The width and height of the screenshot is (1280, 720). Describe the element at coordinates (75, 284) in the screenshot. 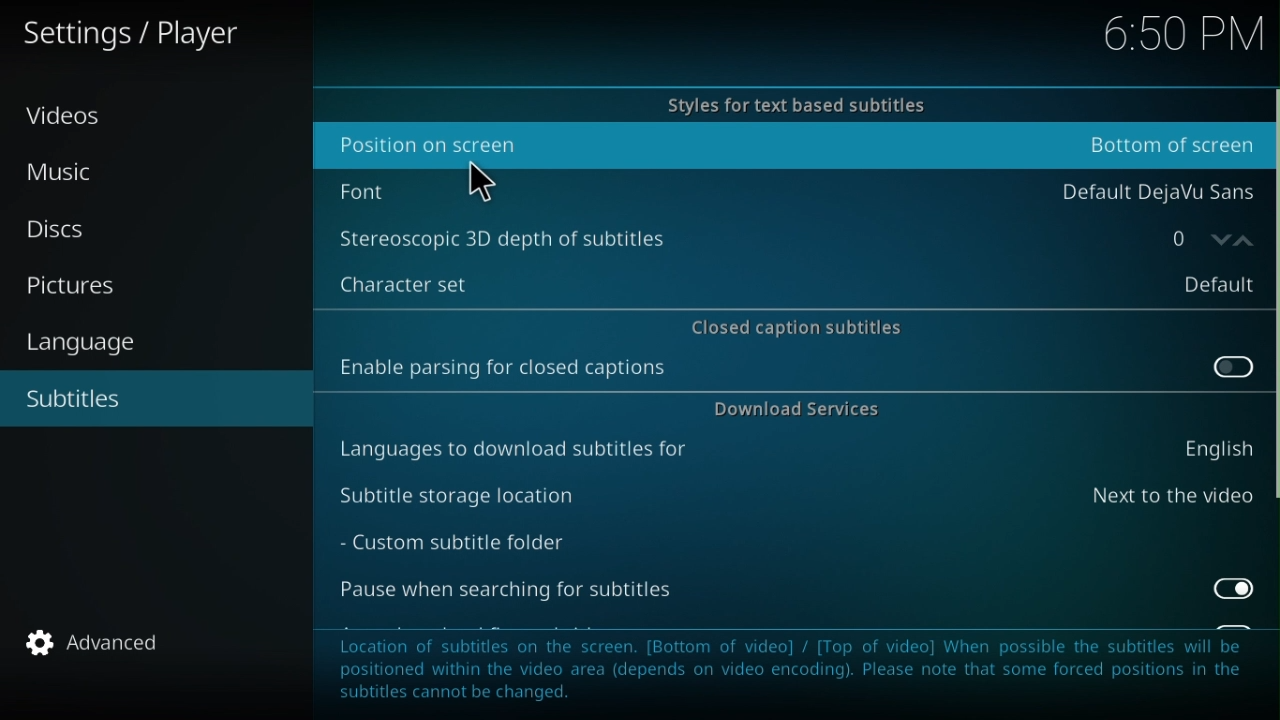

I see `Pictures` at that location.